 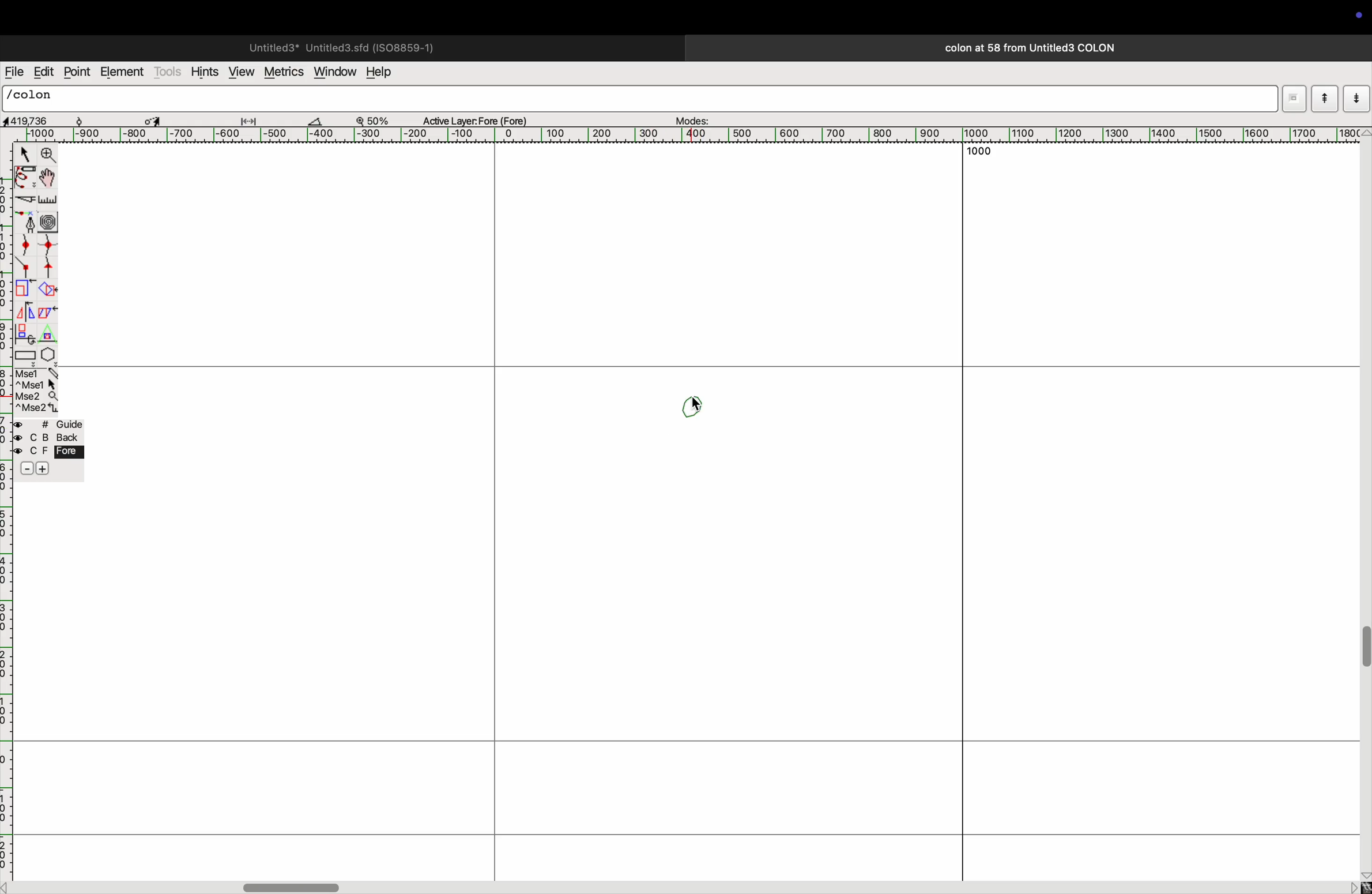 I want to click on mode down, so click(x=1356, y=97).